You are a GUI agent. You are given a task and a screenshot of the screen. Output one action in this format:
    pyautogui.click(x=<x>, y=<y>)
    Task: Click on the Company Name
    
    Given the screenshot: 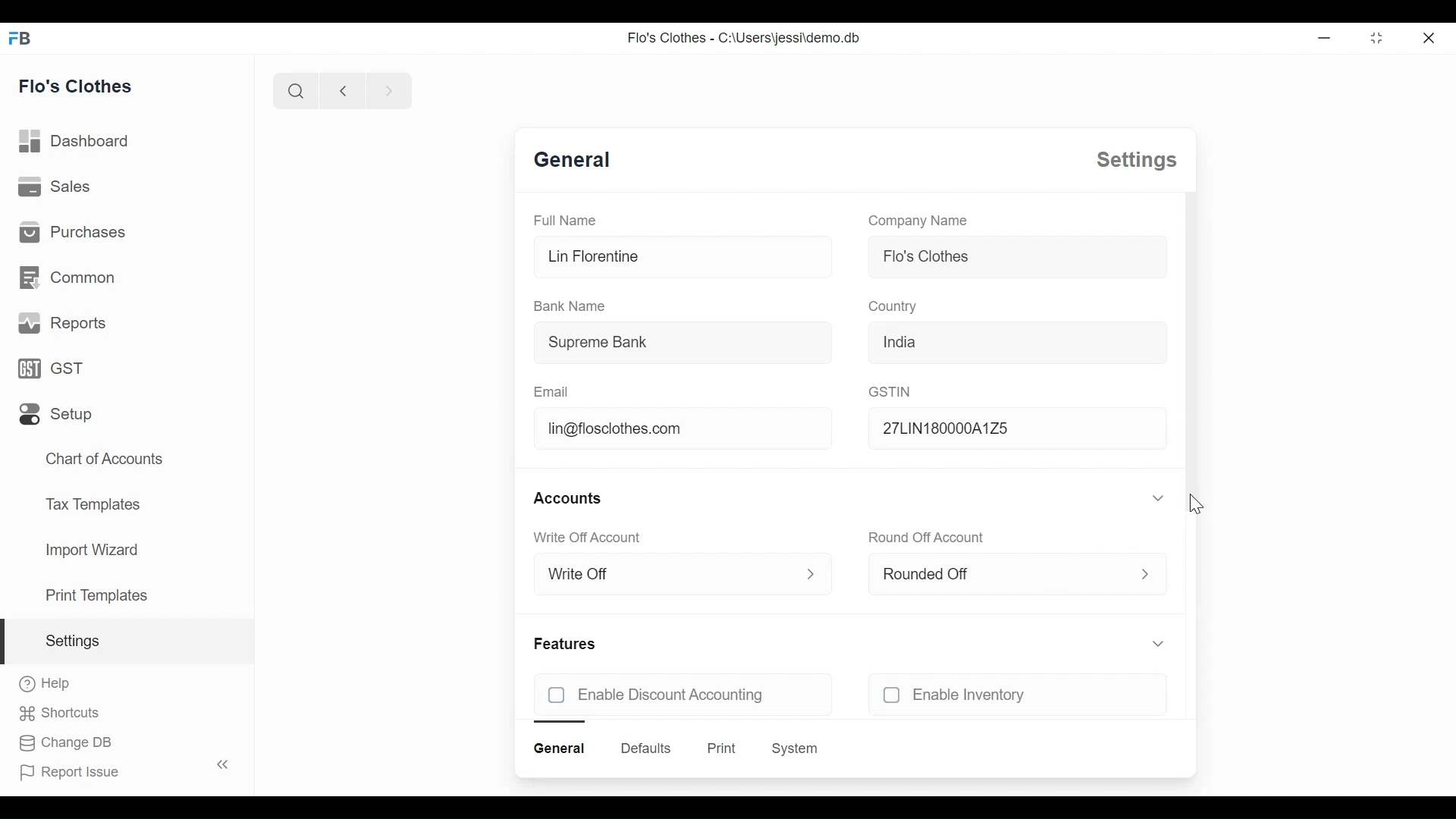 What is the action you would take?
    pyautogui.click(x=918, y=219)
    